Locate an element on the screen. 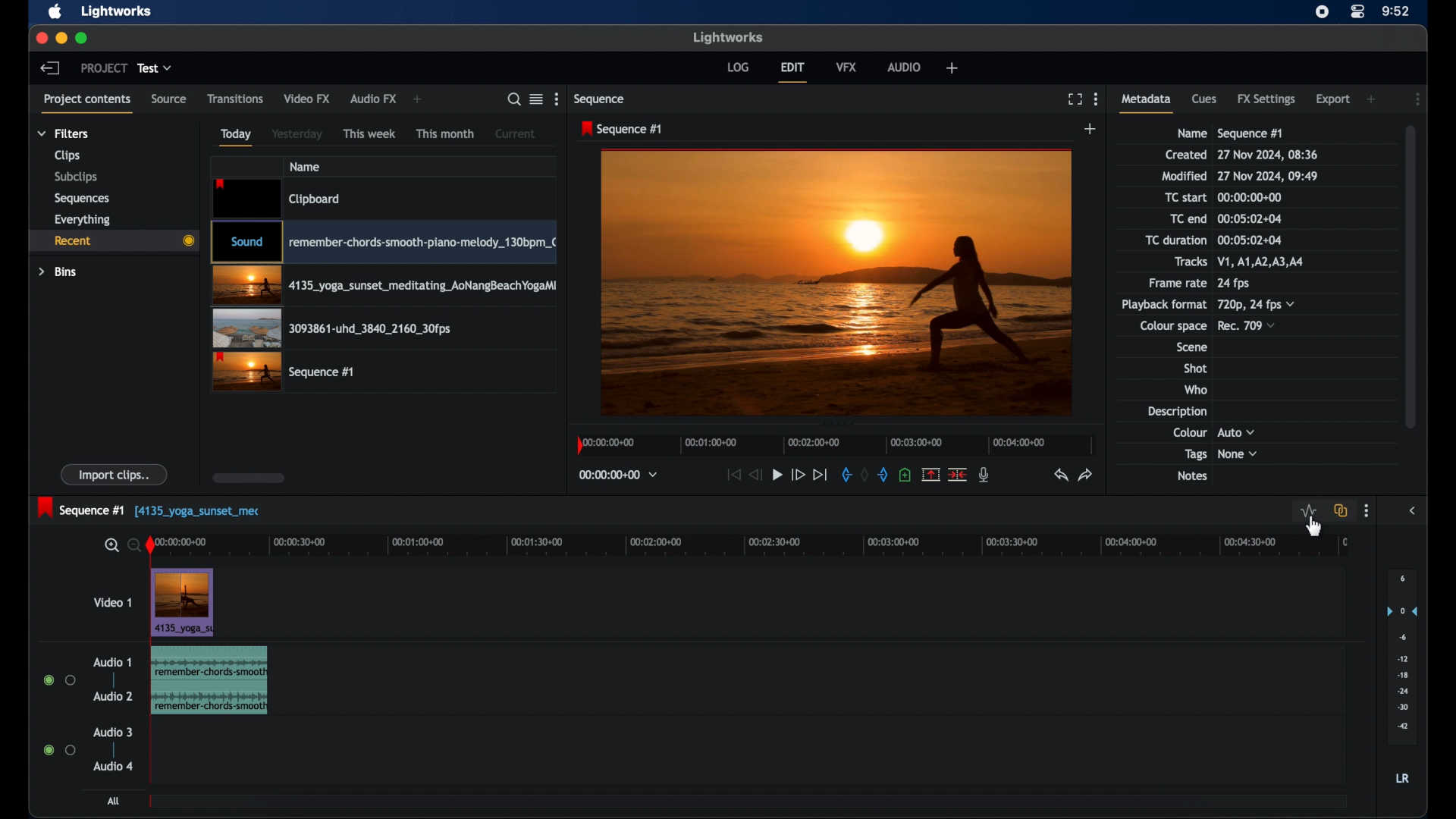 This screenshot has width=1456, height=819. video clip is located at coordinates (183, 604).